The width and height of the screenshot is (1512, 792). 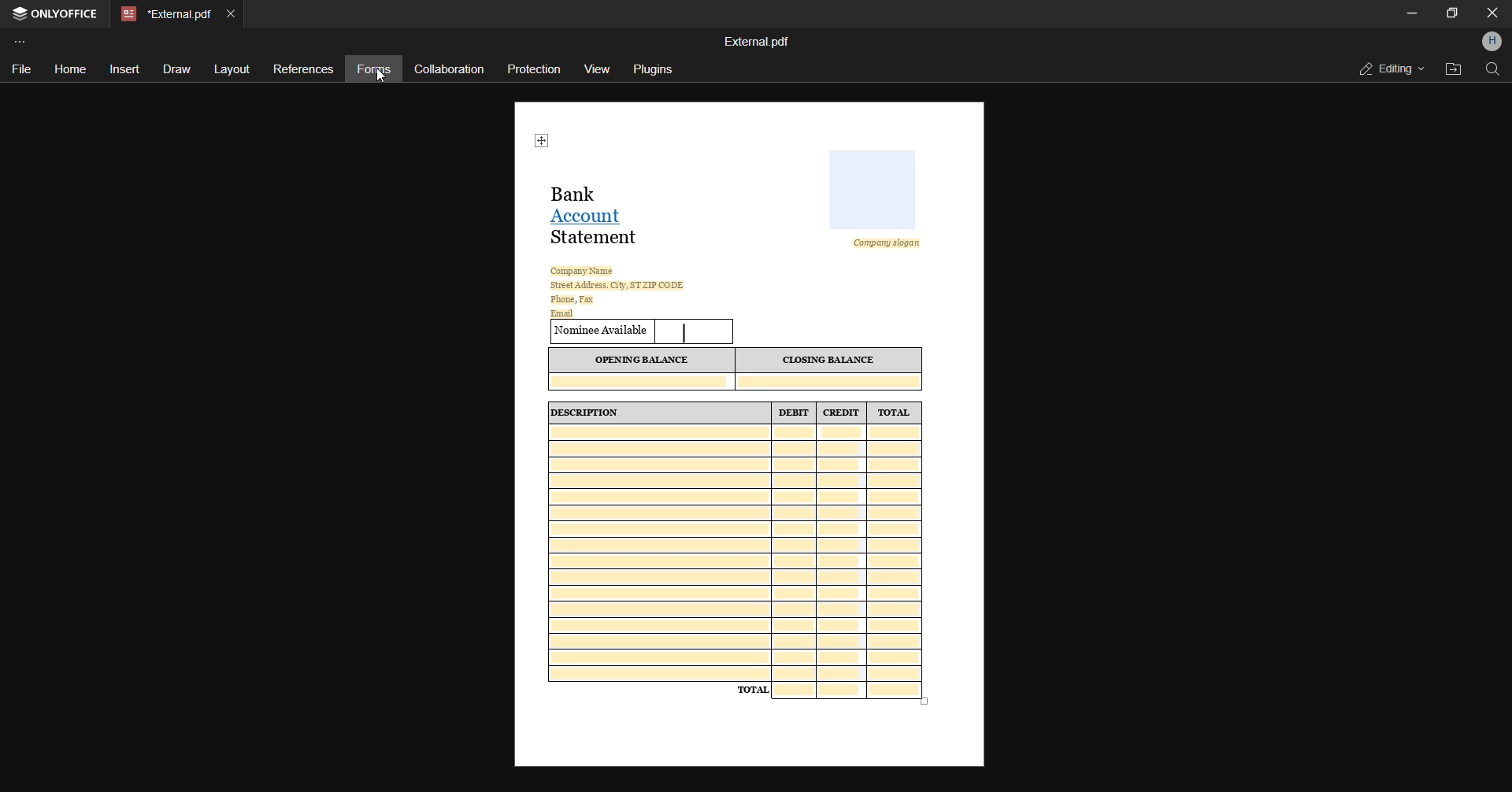 I want to click on protection, so click(x=535, y=70).